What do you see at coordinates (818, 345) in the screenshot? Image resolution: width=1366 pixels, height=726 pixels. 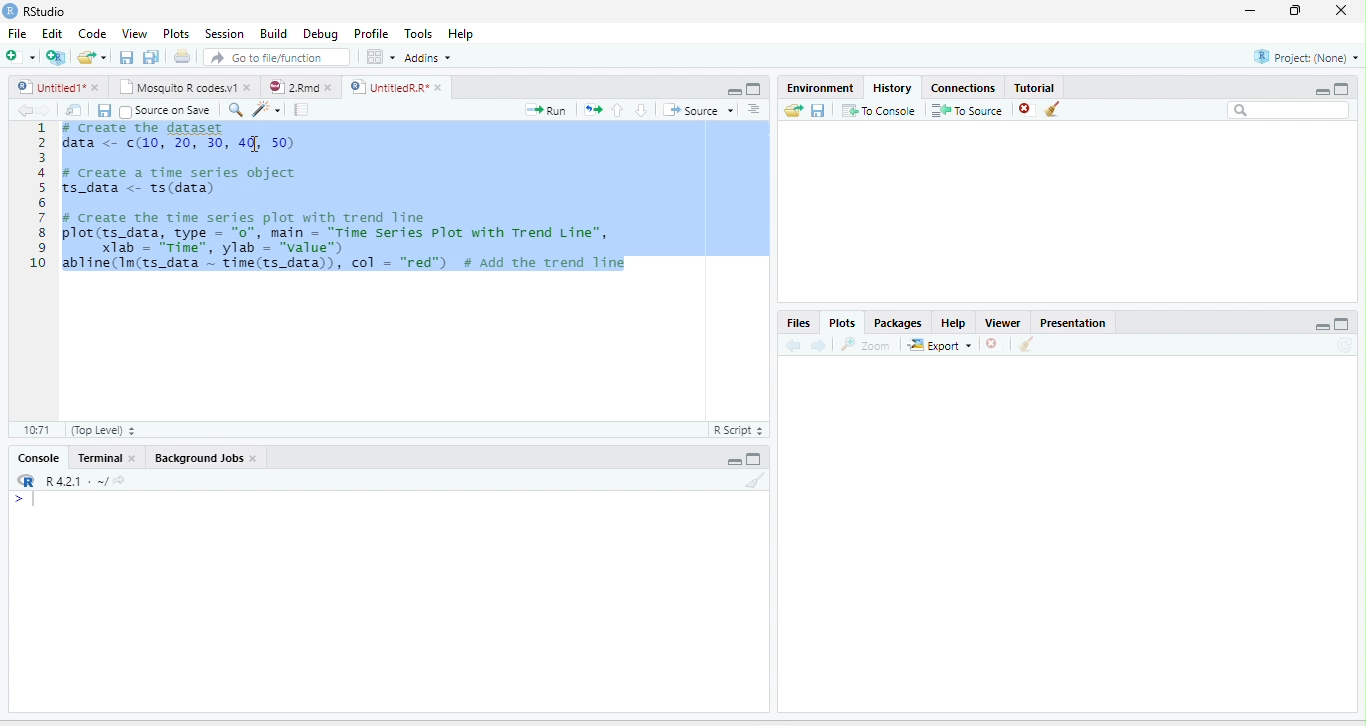 I see `Next plot` at bounding box center [818, 345].